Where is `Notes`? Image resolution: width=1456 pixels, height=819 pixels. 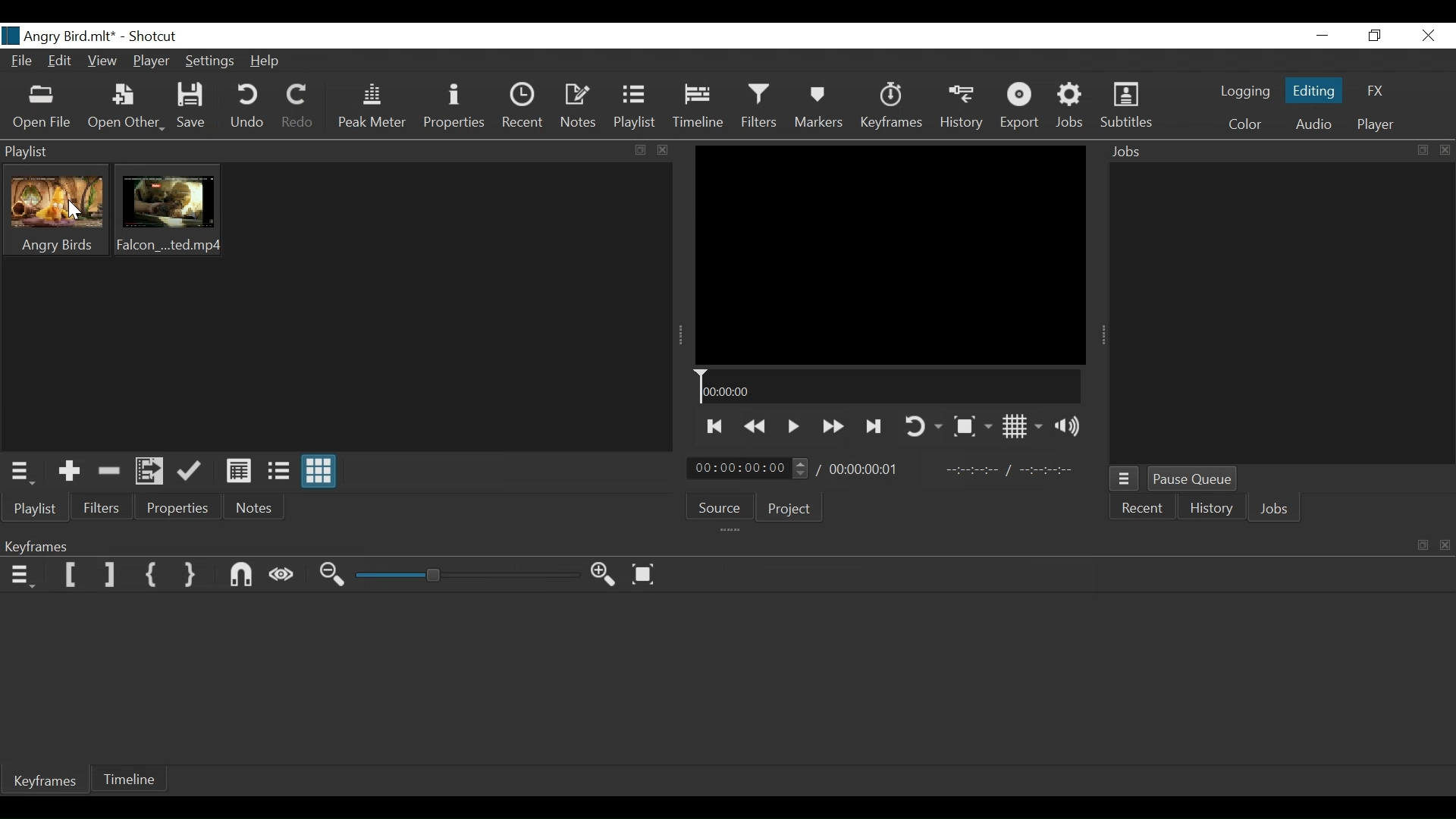 Notes is located at coordinates (251, 507).